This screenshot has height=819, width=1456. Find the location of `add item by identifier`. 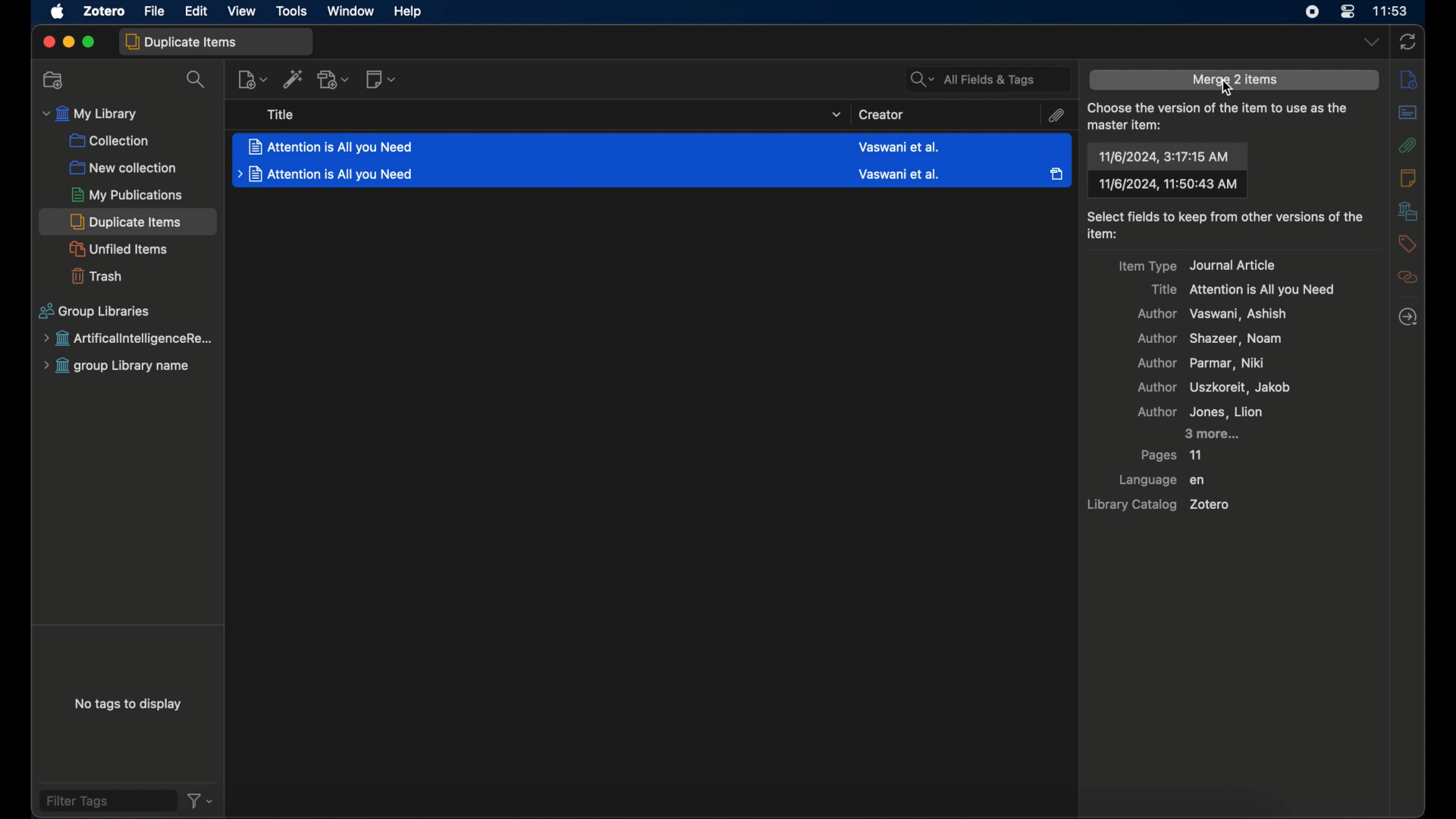

add item by identifier is located at coordinates (293, 80).